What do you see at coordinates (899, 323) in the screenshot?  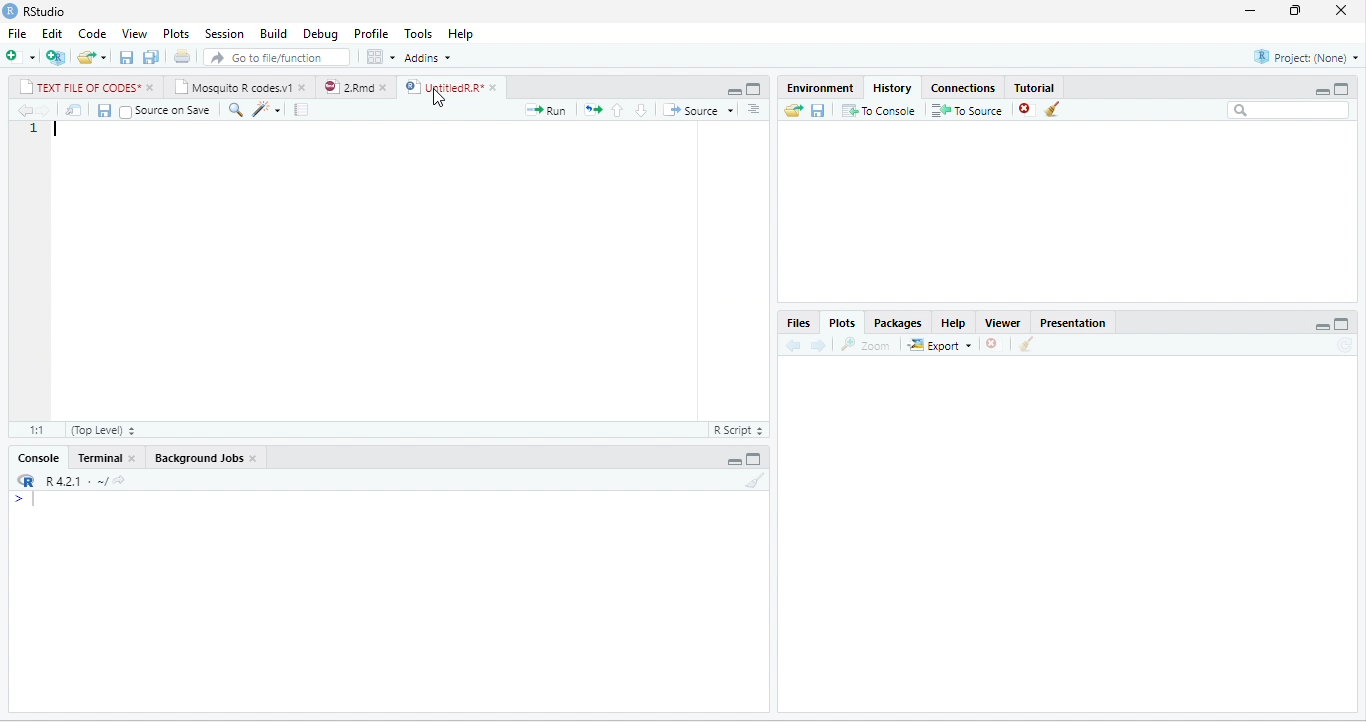 I see `Packages` at bounding box center [899, 323].